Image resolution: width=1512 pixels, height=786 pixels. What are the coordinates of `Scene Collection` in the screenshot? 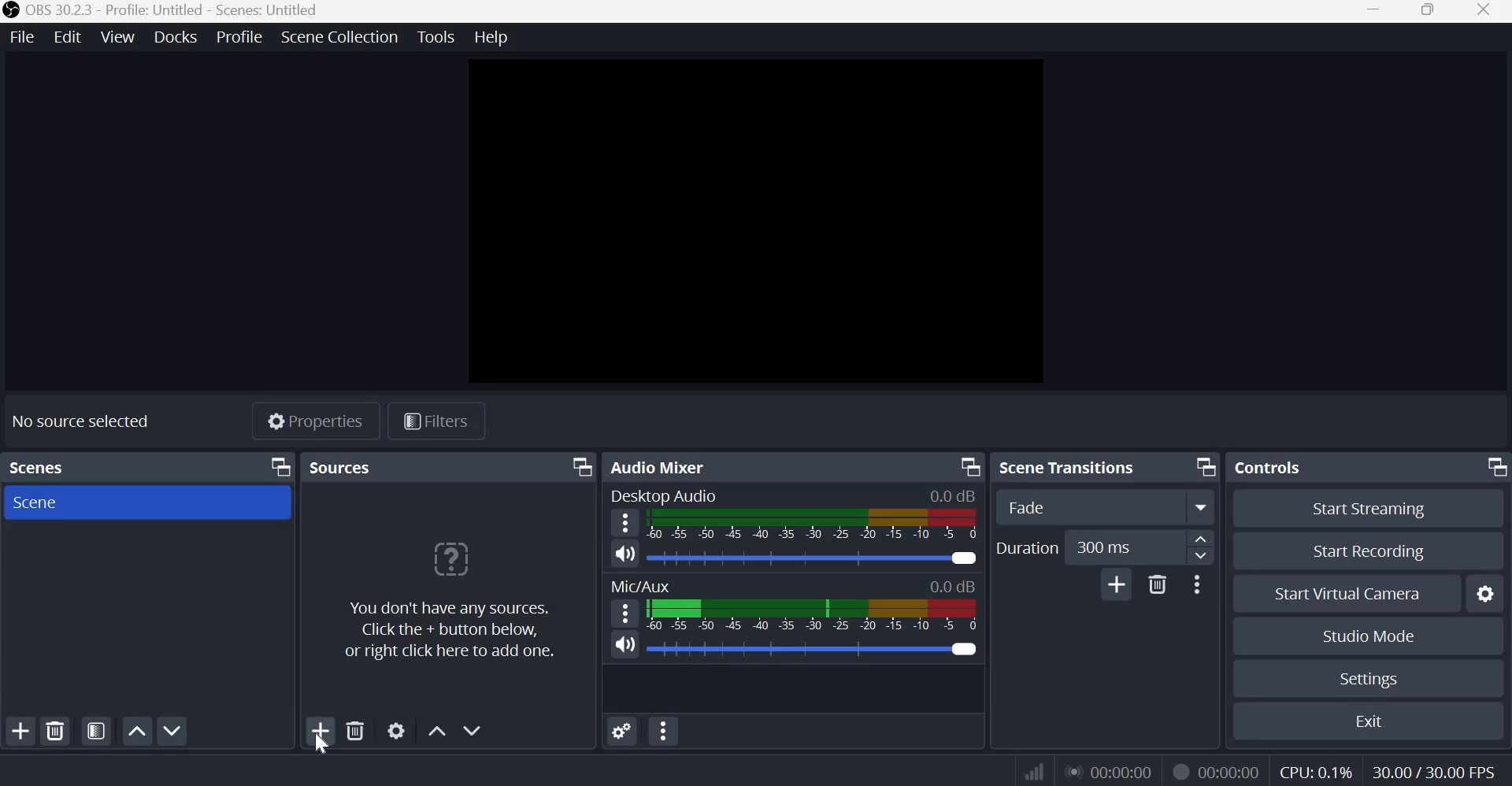 It's located at (339, 37).